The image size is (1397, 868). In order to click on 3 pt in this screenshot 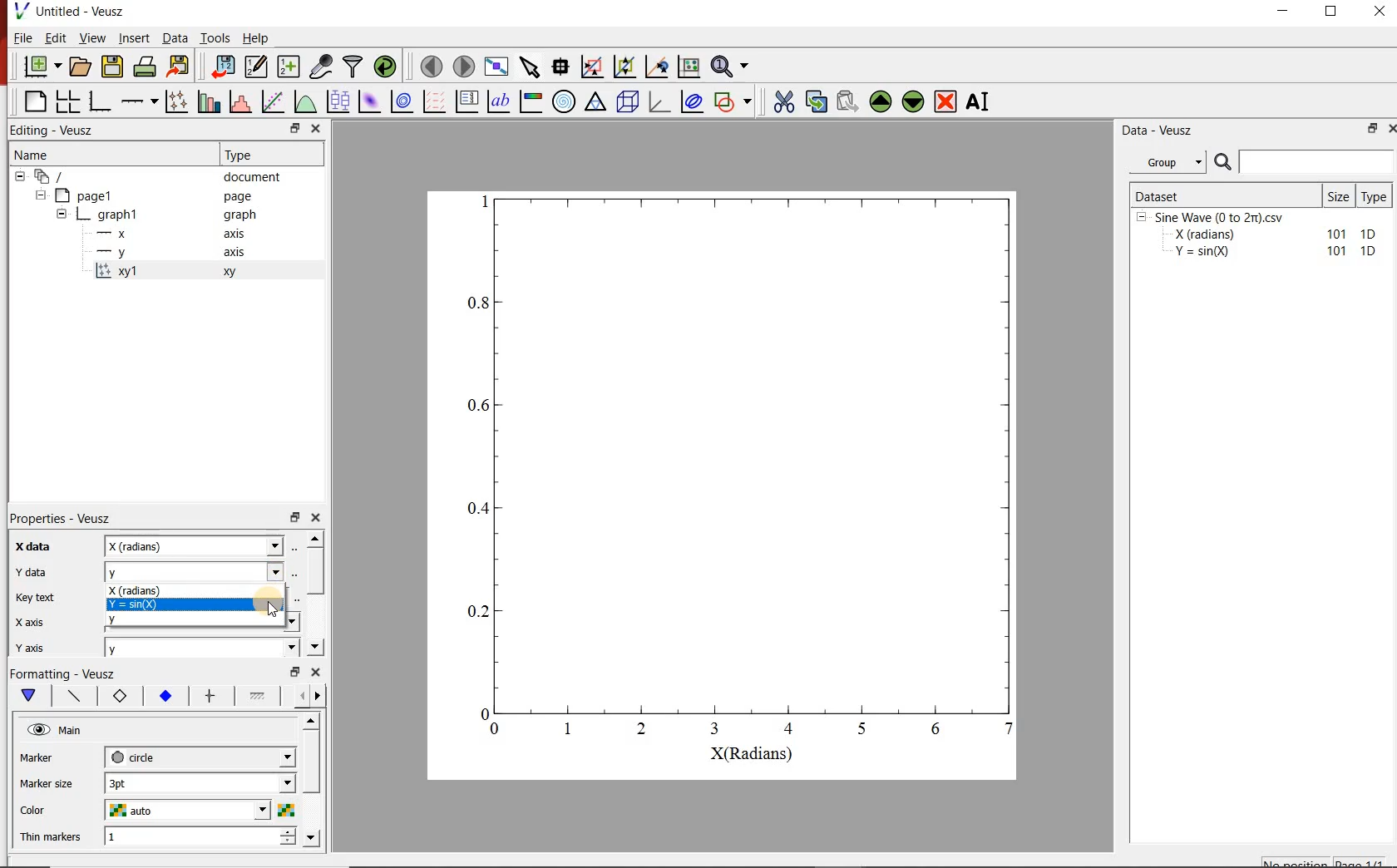, I will do `click(200, 782)`.